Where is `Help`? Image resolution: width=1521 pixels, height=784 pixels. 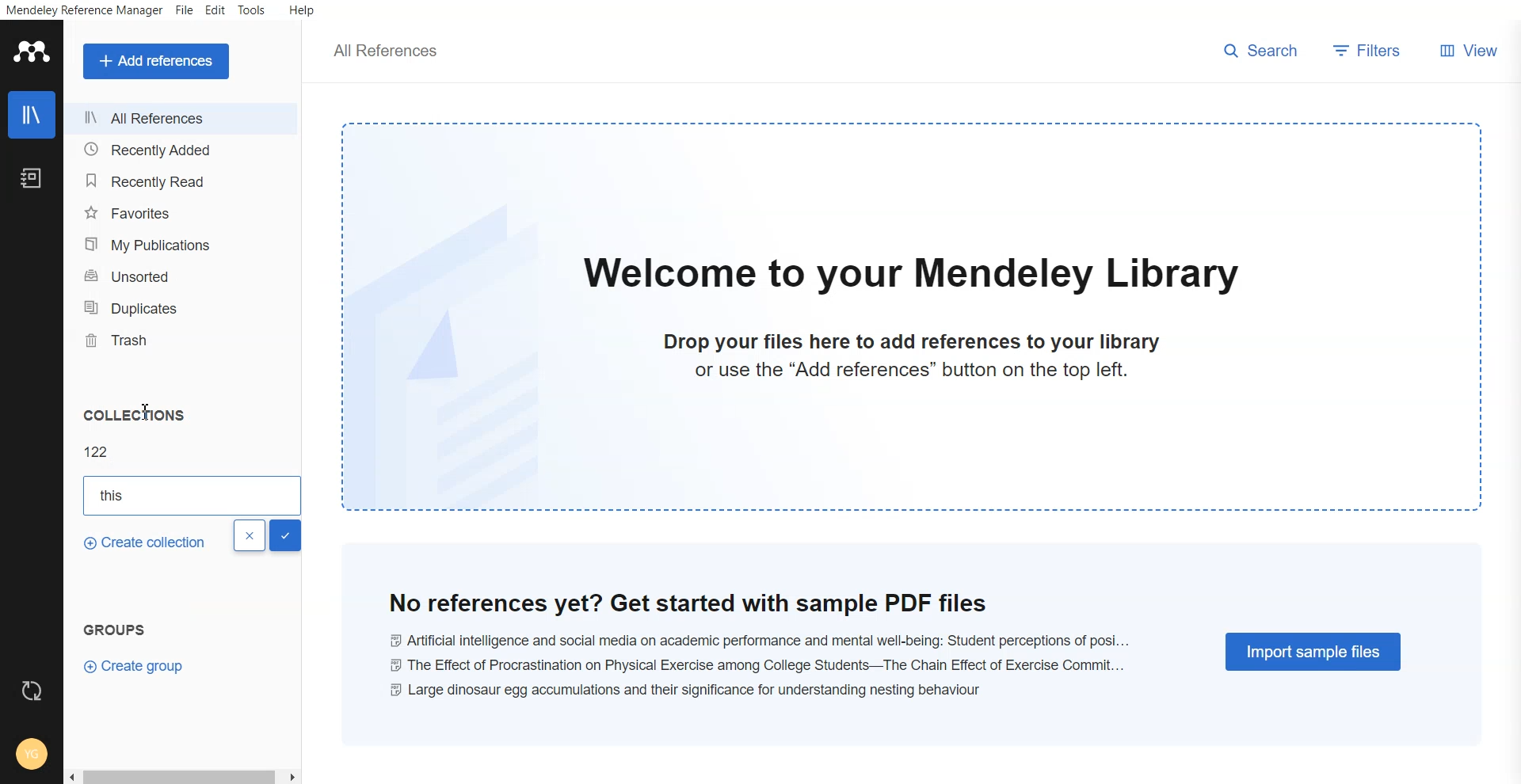
Help is located at coordinates (302, 10).